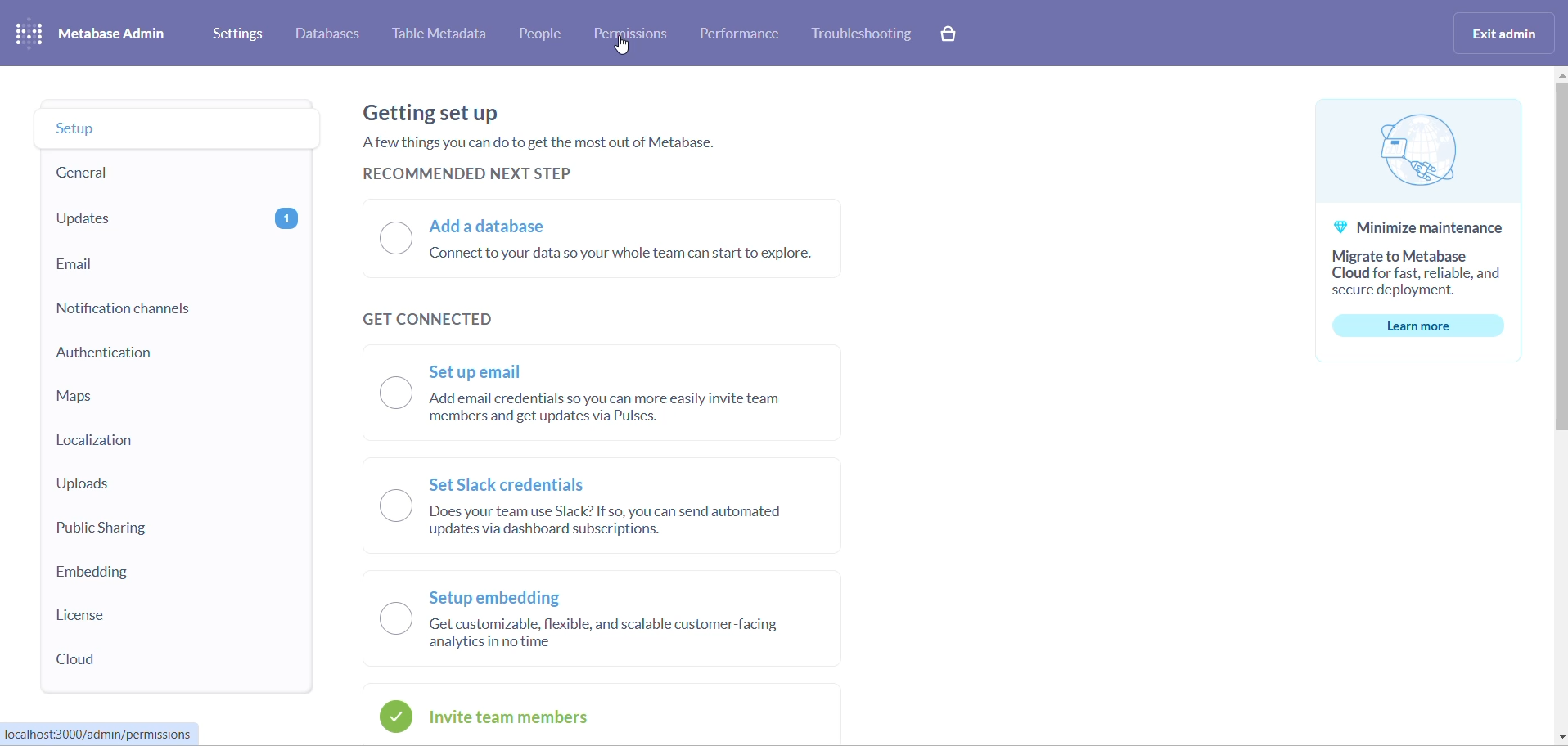  I want to click on embedding, so click(141, 578).